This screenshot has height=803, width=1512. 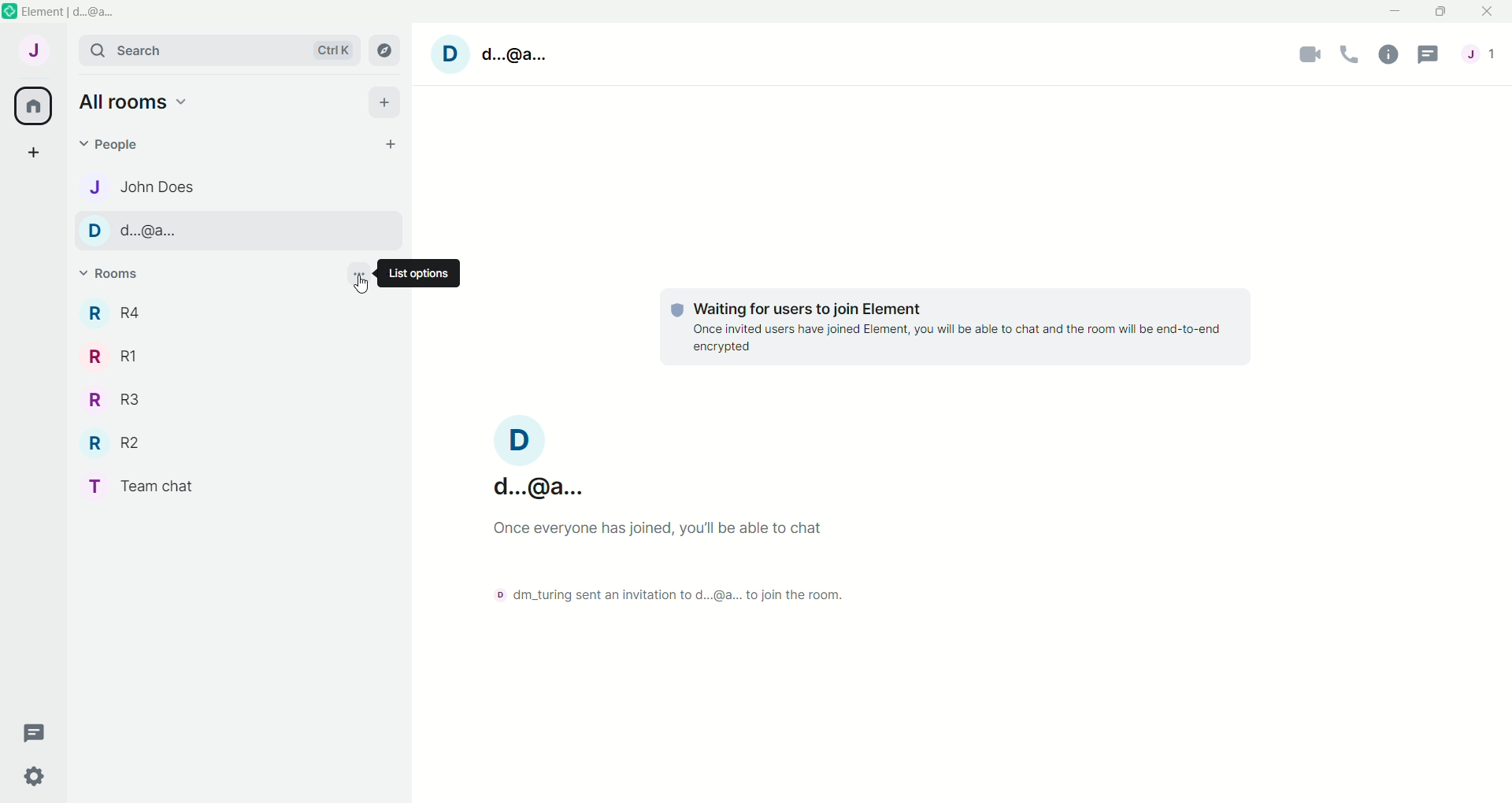 What do you see at coordinates (1483, 54) in the screenshot?
I see `People` at bounding box center [1483, 54].